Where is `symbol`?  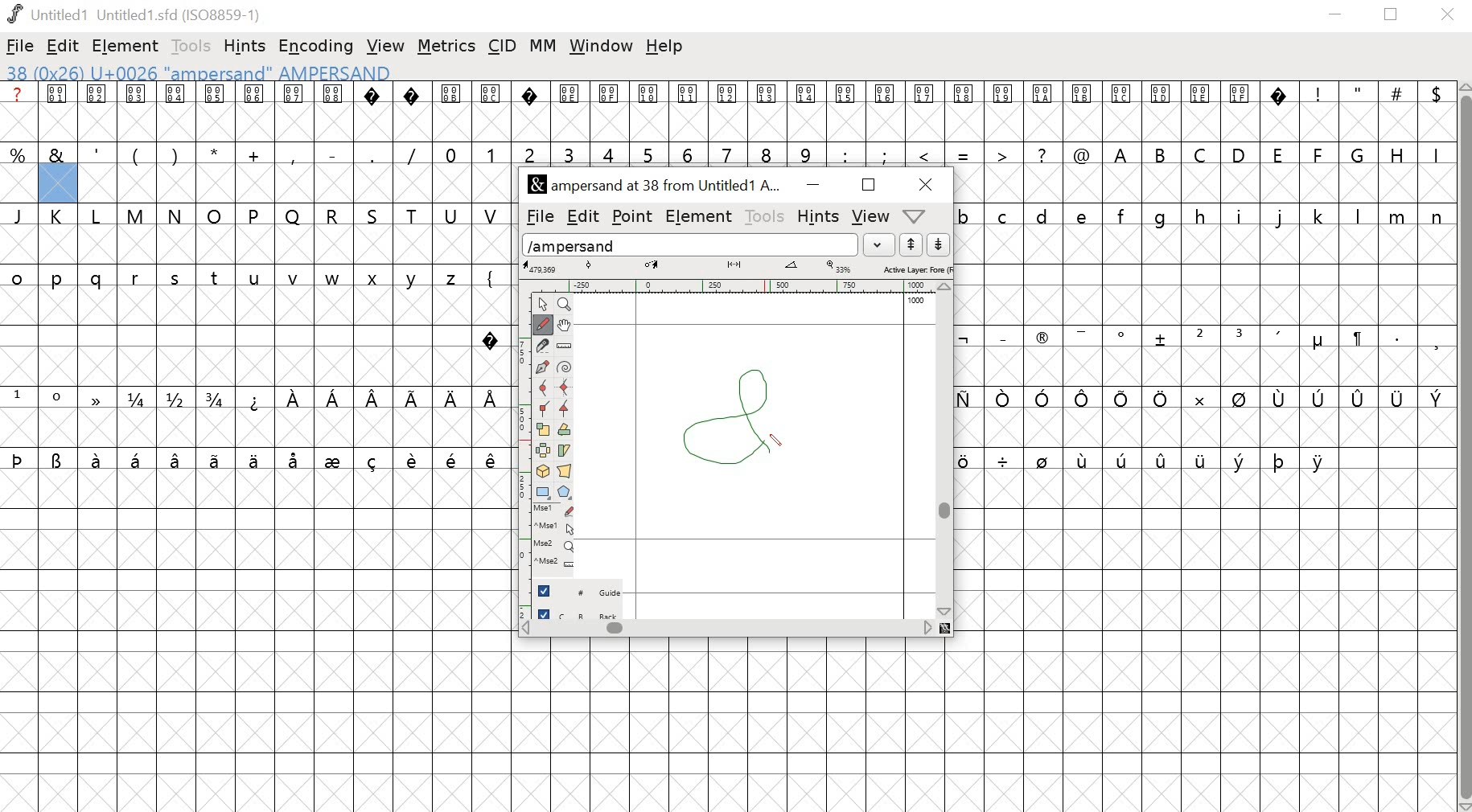 symbol is located at coordinates (1084, 459).